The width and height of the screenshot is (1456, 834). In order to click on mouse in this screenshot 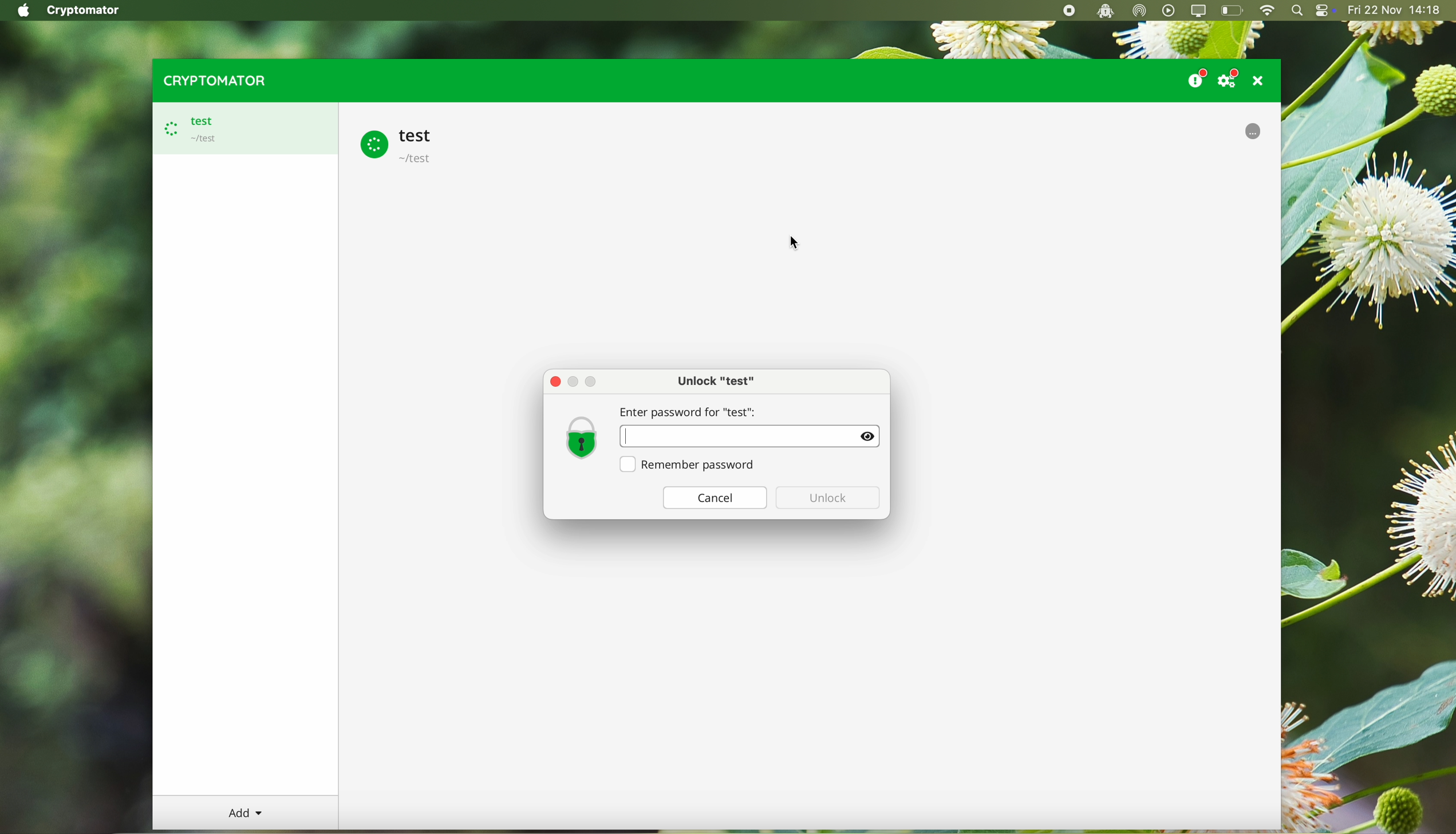, I will do `click(800, 243)`.